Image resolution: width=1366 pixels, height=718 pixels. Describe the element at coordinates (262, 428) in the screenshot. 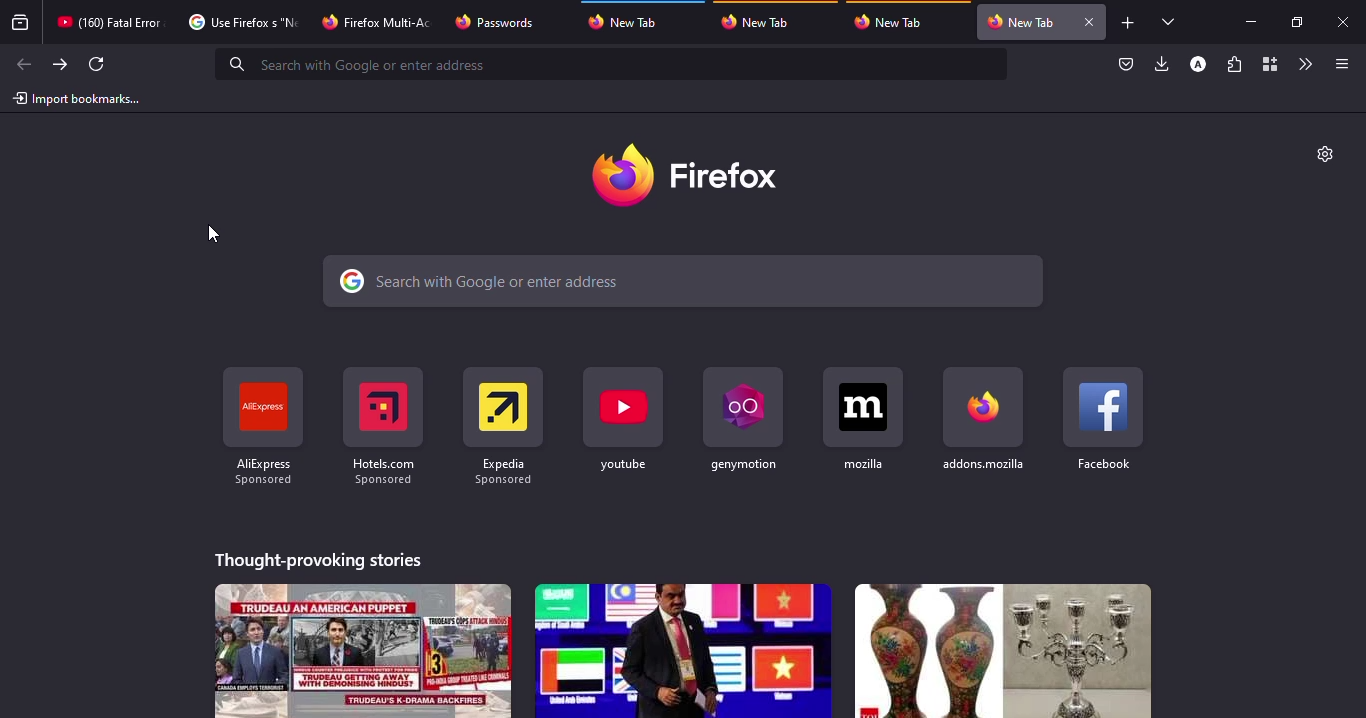

I see `shortcuts` at that location.